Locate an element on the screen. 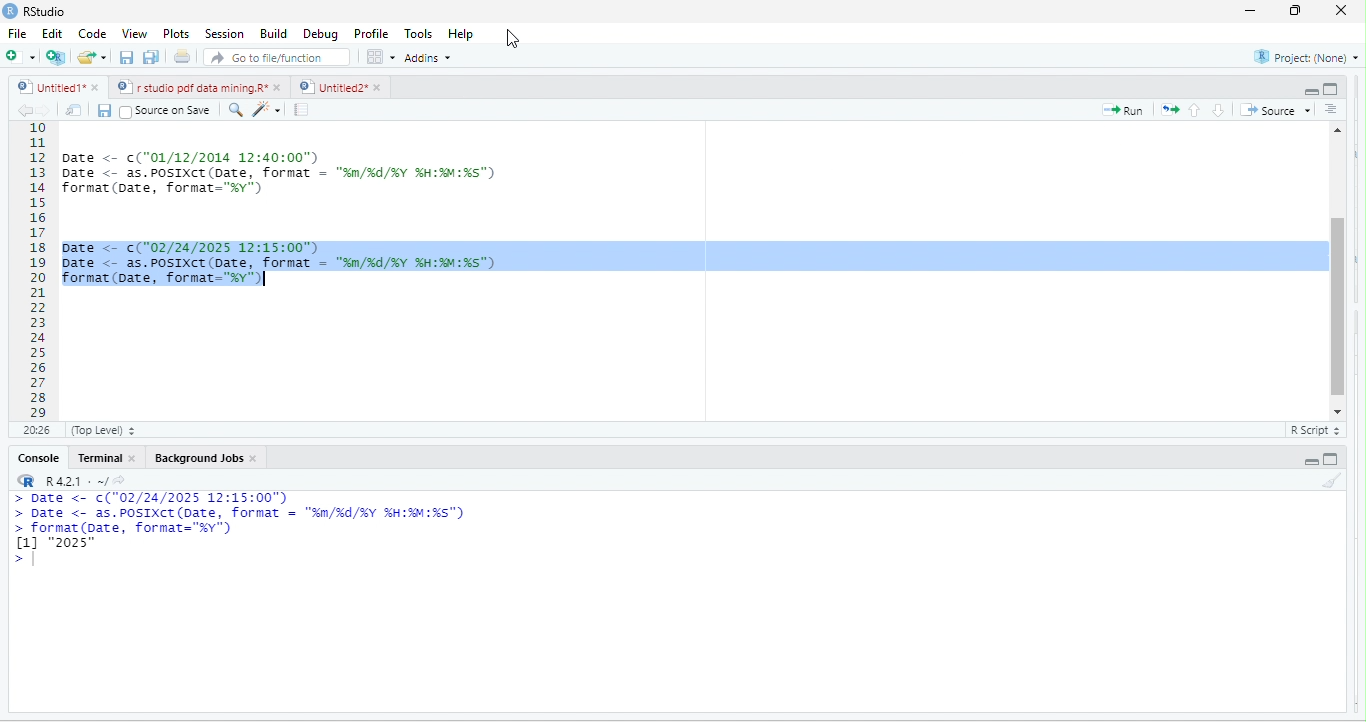 This screenshot has height=722, width=1366. typing  cursor  is located at coordinates (269, 280).